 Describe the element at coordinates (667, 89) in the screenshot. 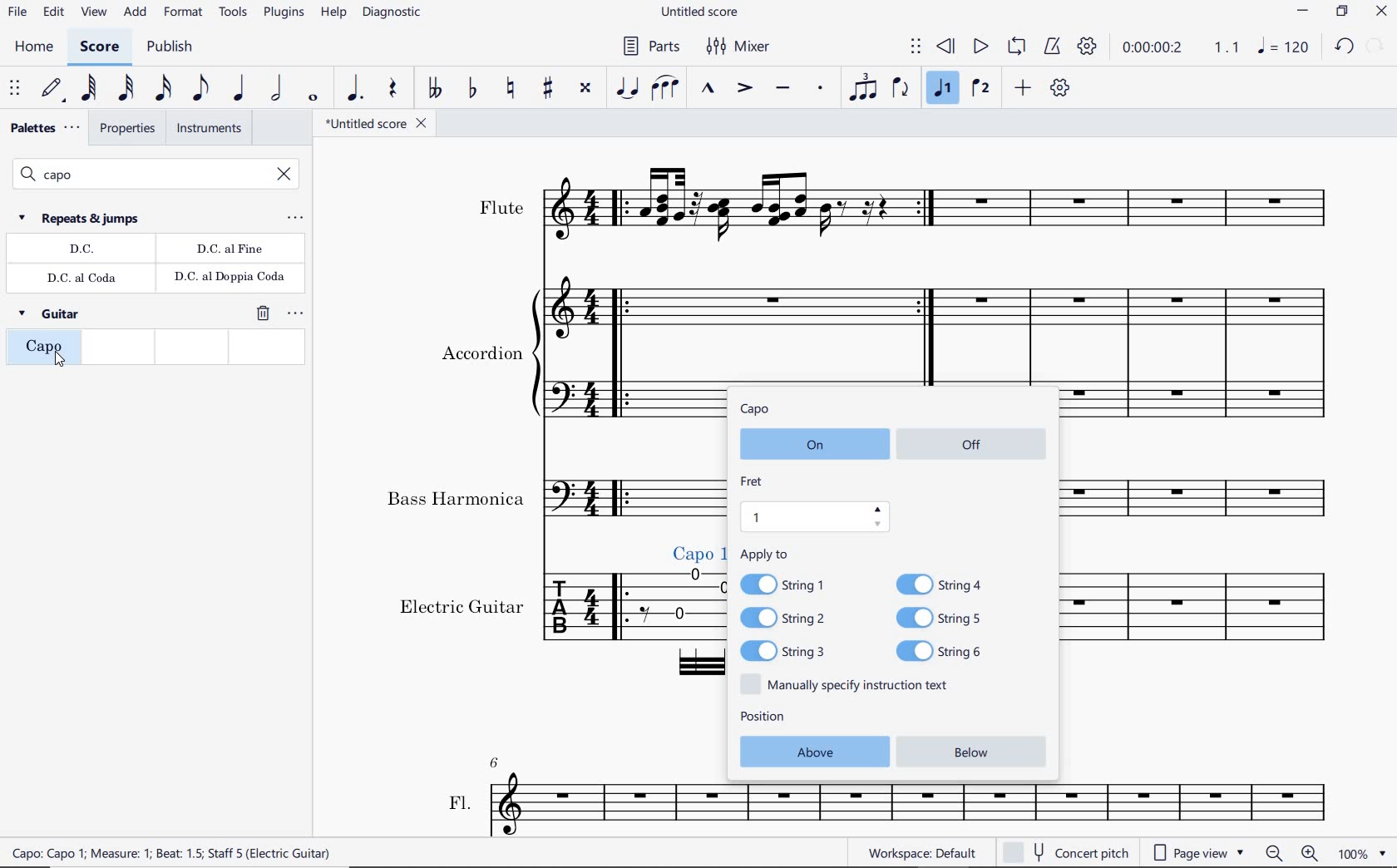

I see `slur` at that location.